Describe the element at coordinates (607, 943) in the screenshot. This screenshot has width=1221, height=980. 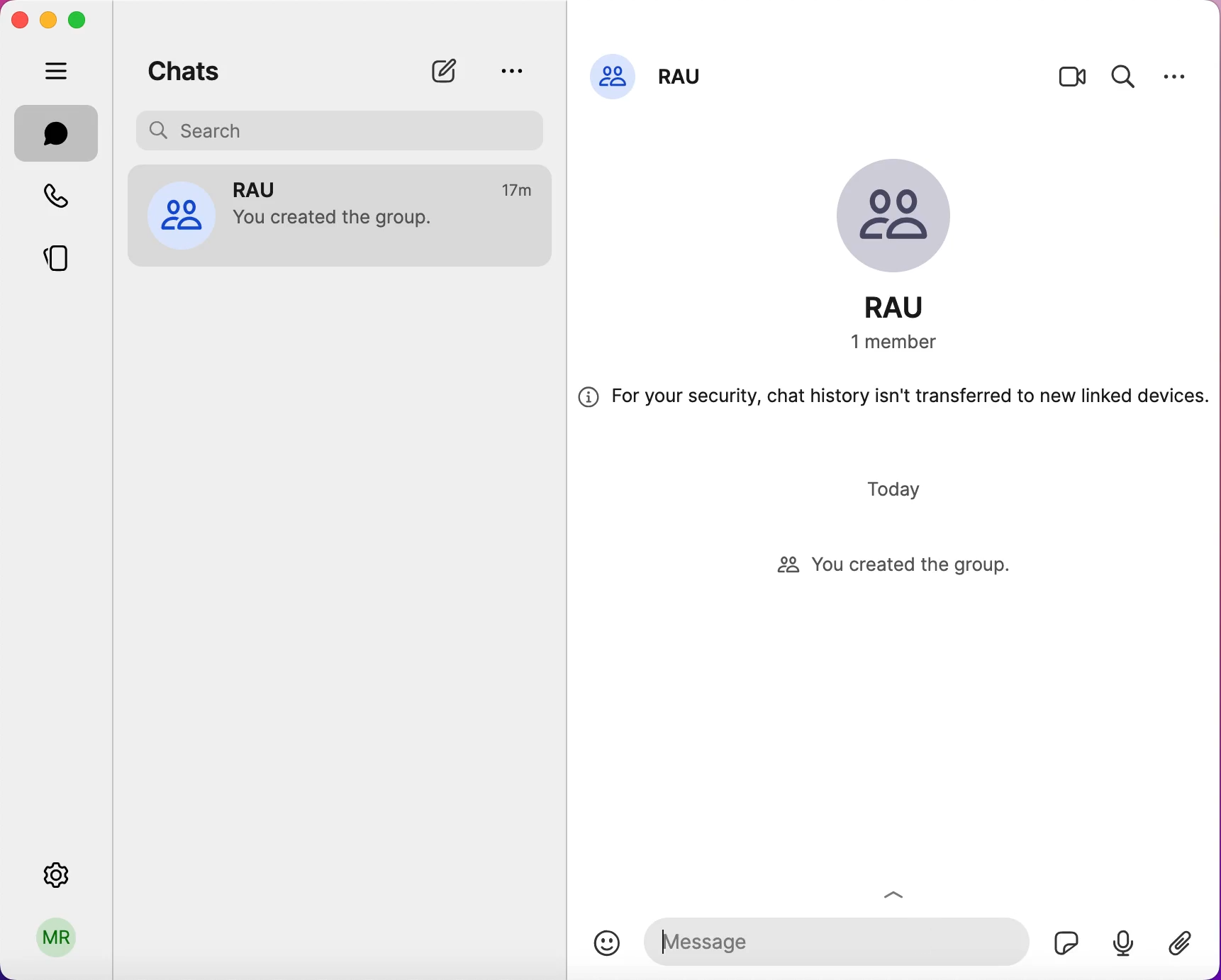
I see `emoji` at that location.